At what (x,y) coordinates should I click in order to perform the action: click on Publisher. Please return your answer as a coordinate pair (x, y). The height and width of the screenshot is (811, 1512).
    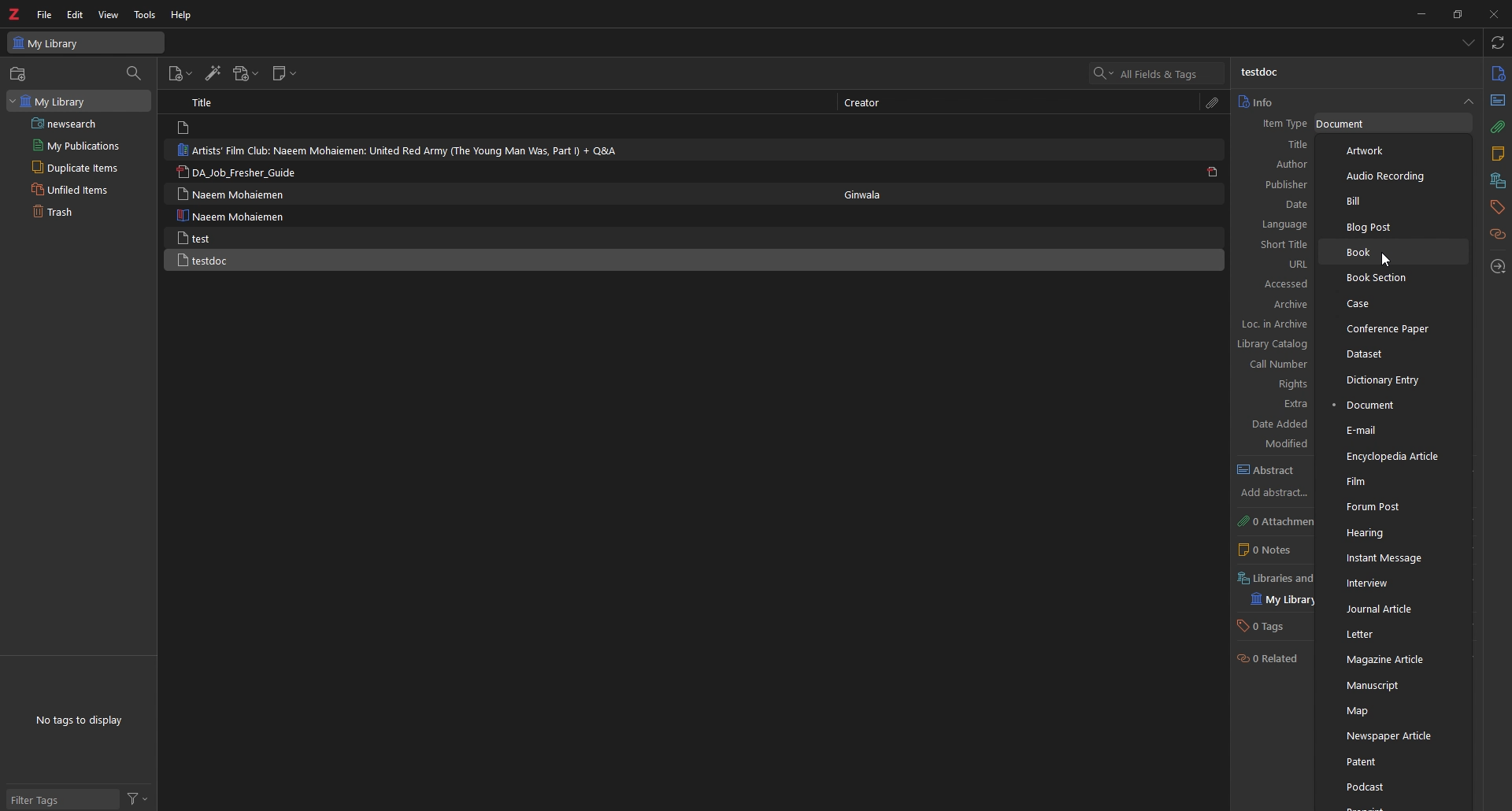
    Looking at the image, I should click on (1284, 185).